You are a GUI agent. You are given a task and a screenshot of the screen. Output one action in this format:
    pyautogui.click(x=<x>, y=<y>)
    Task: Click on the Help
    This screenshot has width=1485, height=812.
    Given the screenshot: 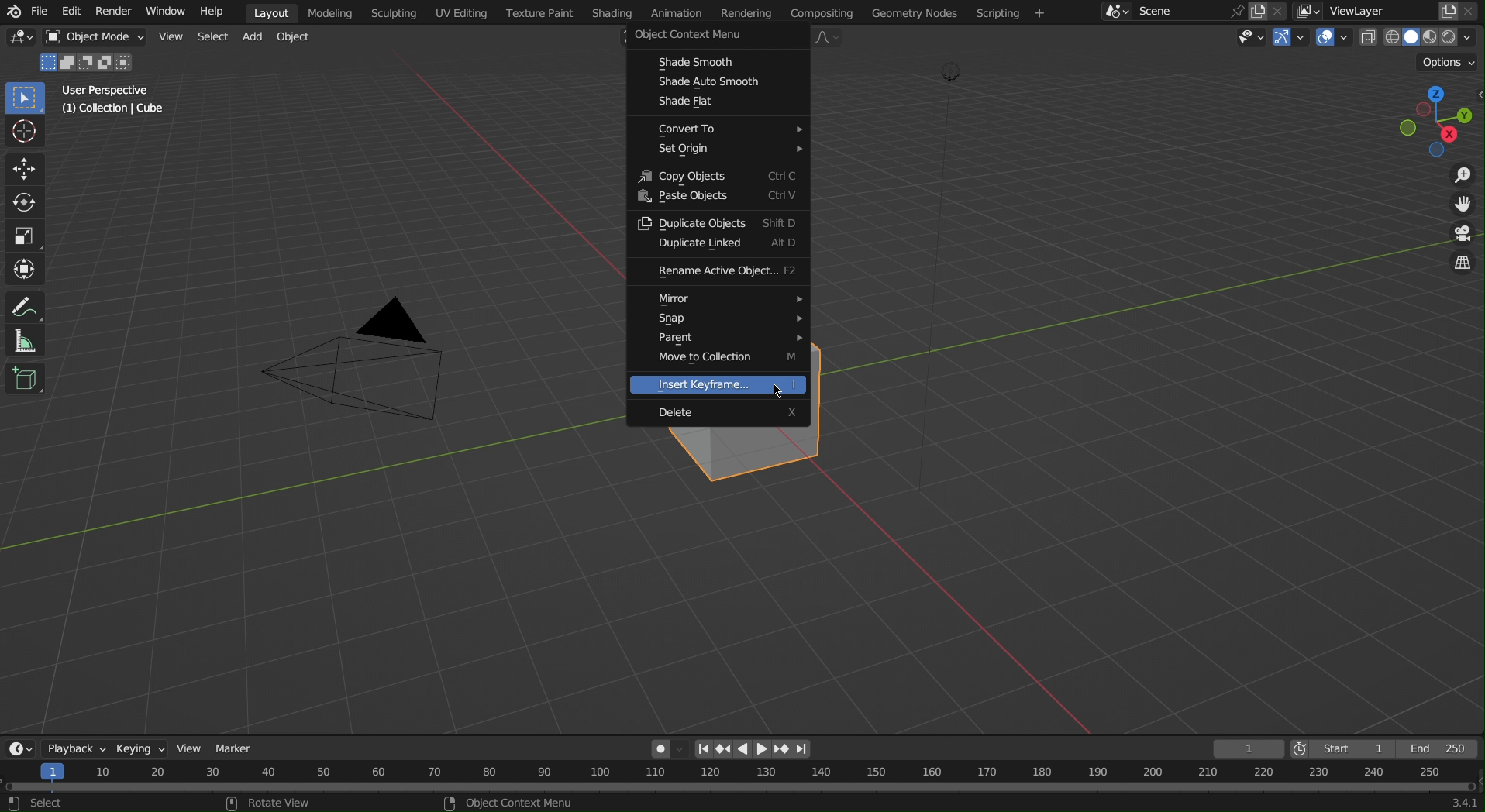 What is the action you would take?
    pyautogui.click(x=219, y=15)
    